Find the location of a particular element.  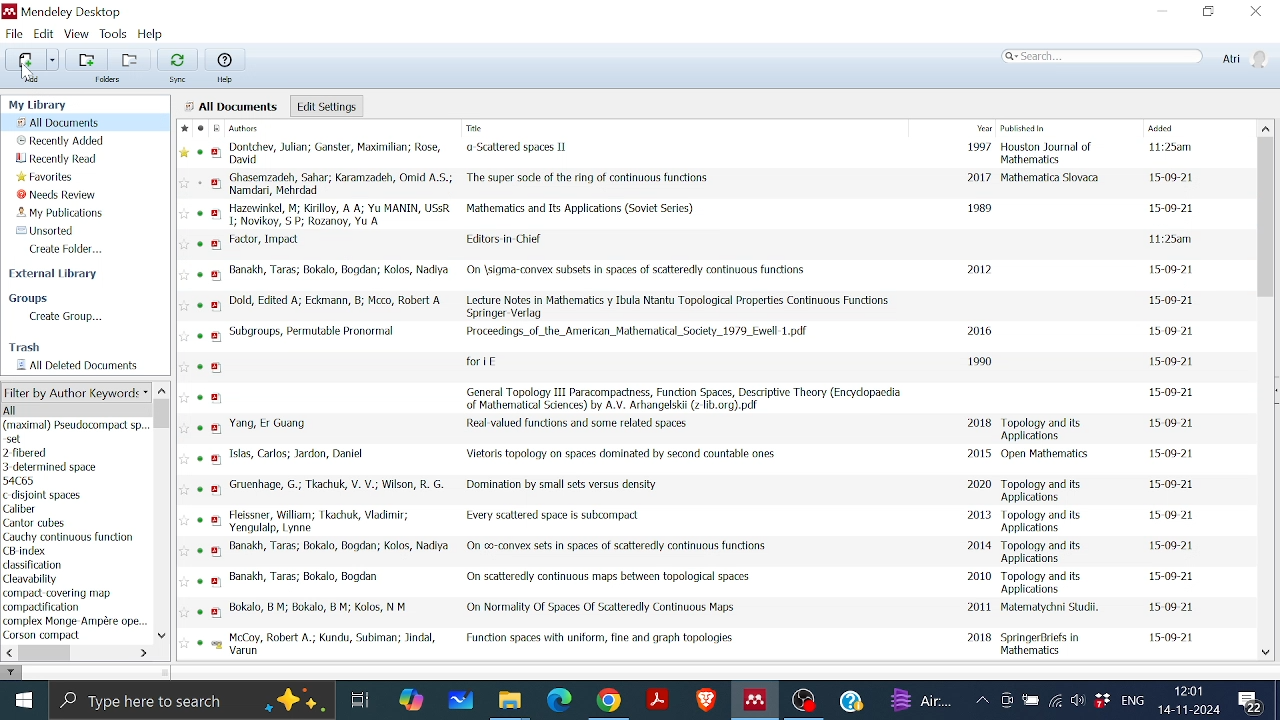

2020 is located at coordinates (979, 486).